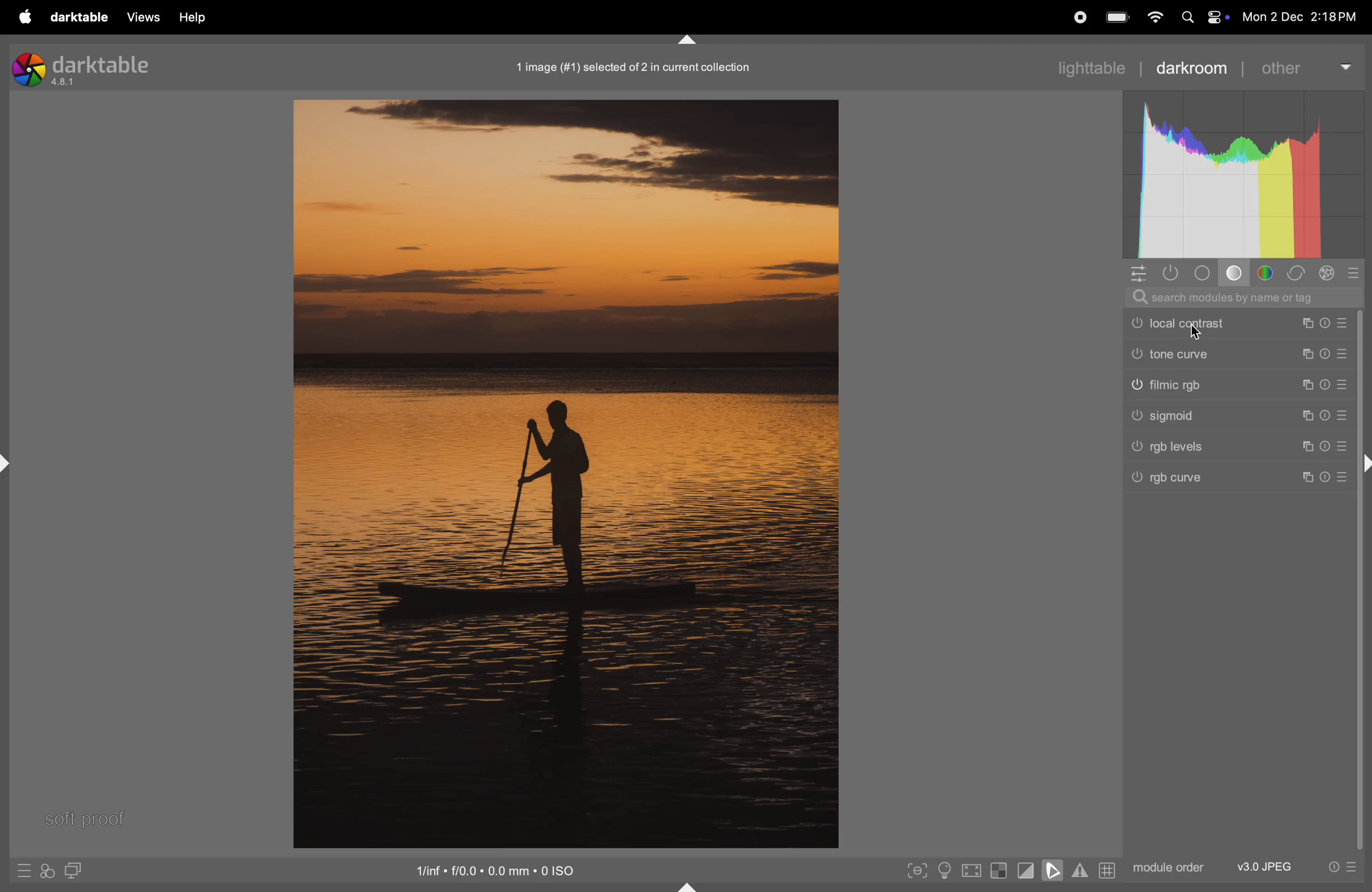 Image resolution: width=1372 pixels, height=892 pixels. I want to click on presets, so click(1355, 273).